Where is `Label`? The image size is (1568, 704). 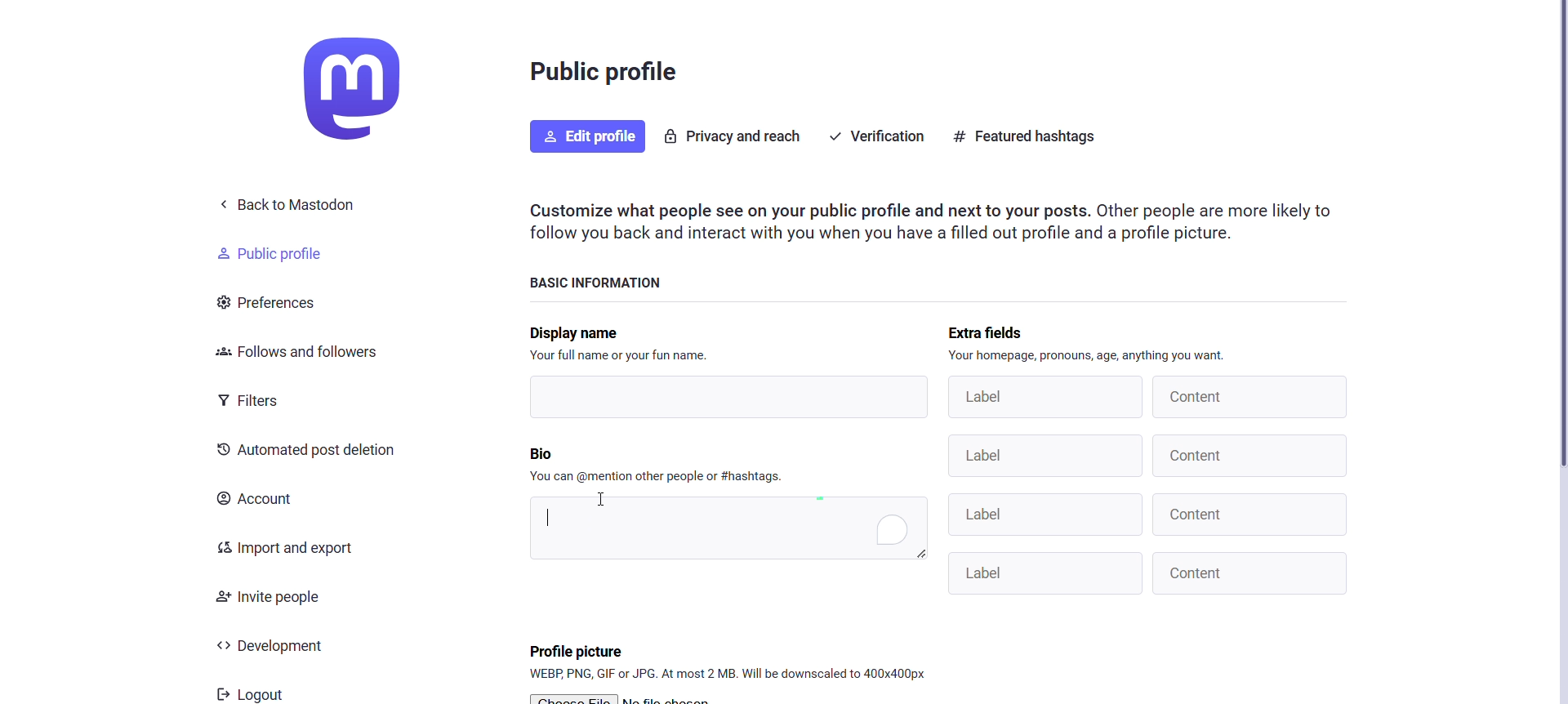 Label is located at coordinates (1045, 456).